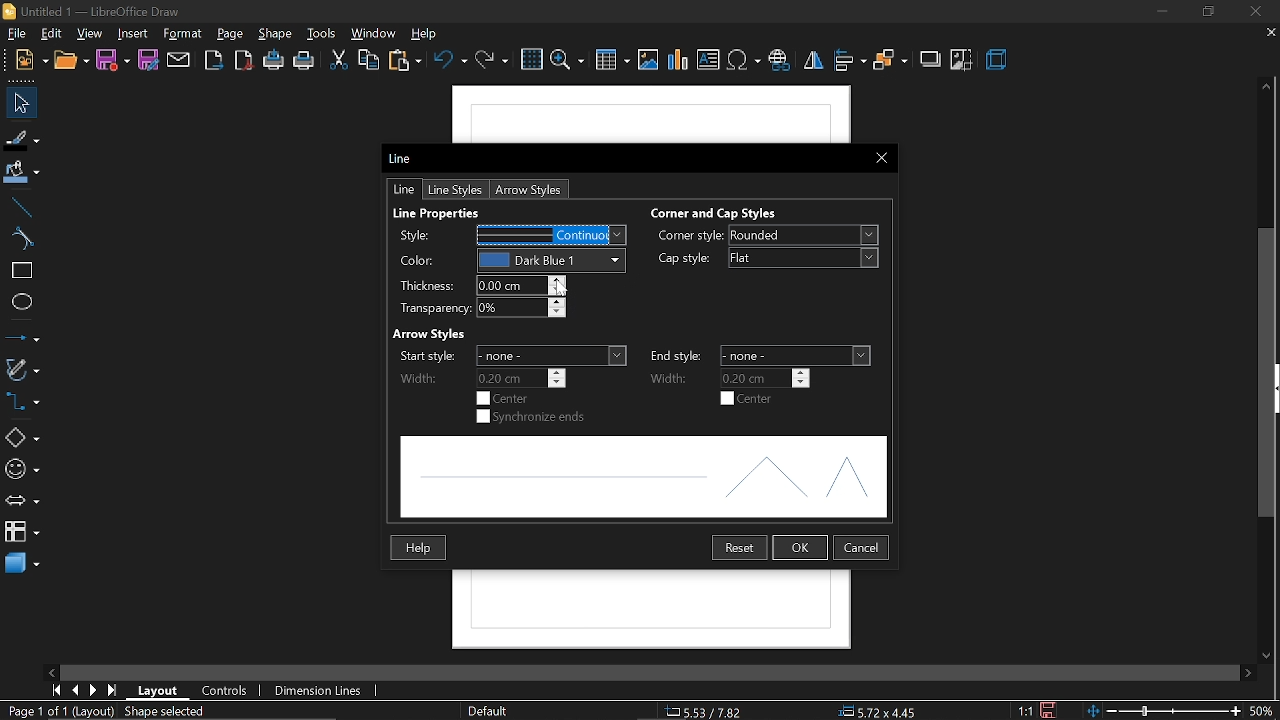 The height and width of the screenshot is (720, 1280). What do you see at coordinates (849, 61) in the screenshot?
I see `align` at bounding box center [849, 61].